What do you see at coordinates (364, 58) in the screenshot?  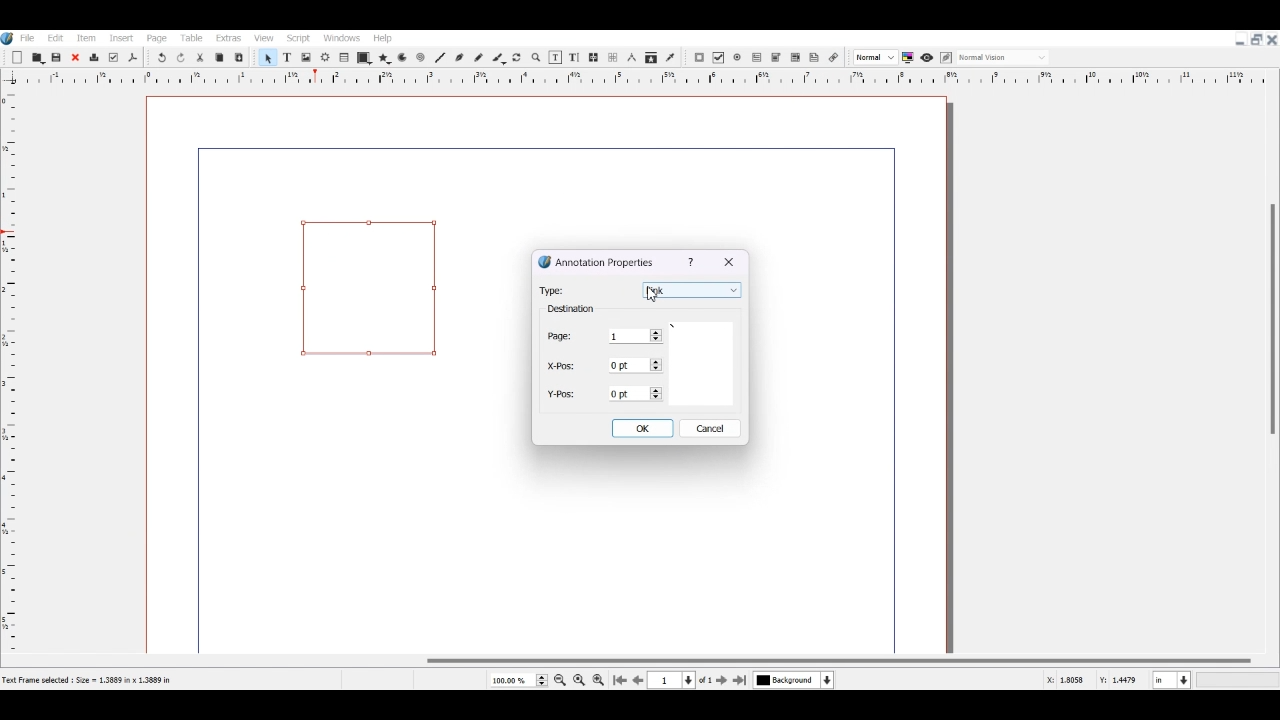 I see `Shape` at bounding box center [364, 58].